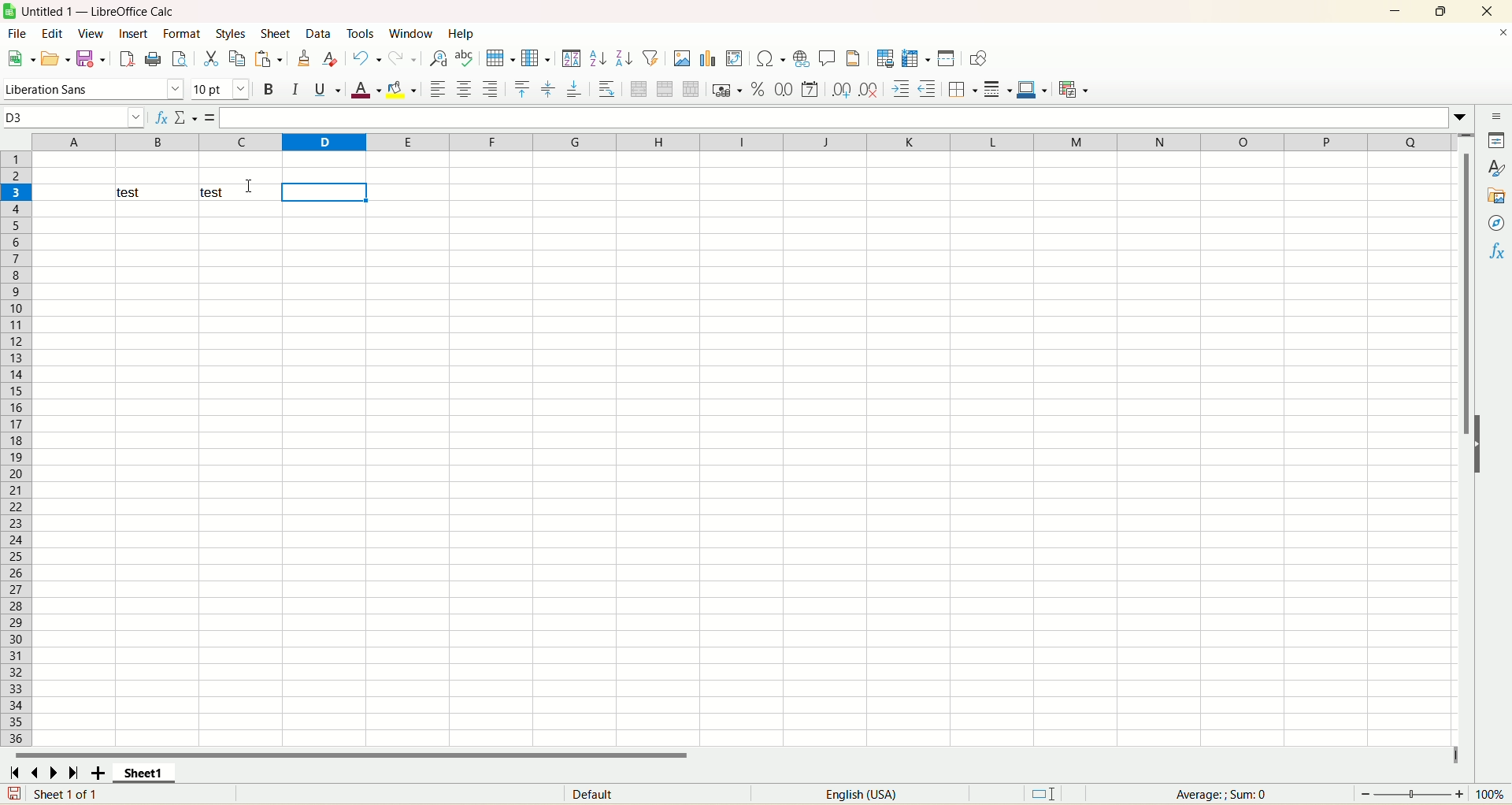 The width and height of the screenshot is (1512, 805). What do you see at coordinates (54, 772) in the screenshot?
I see `next sheet` at bounding box center [54, 772].